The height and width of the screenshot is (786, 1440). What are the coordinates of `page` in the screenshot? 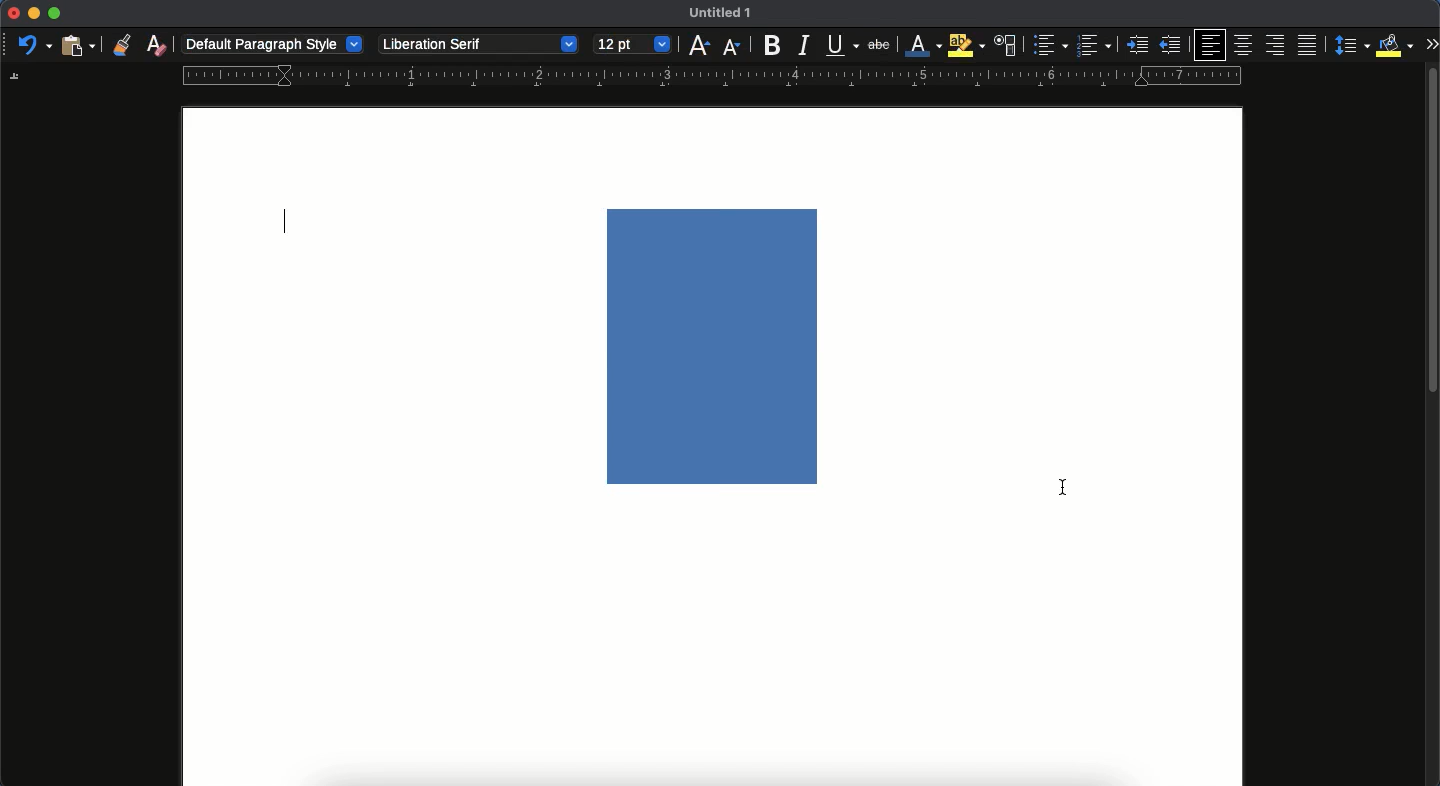 It's located at (713, 659).